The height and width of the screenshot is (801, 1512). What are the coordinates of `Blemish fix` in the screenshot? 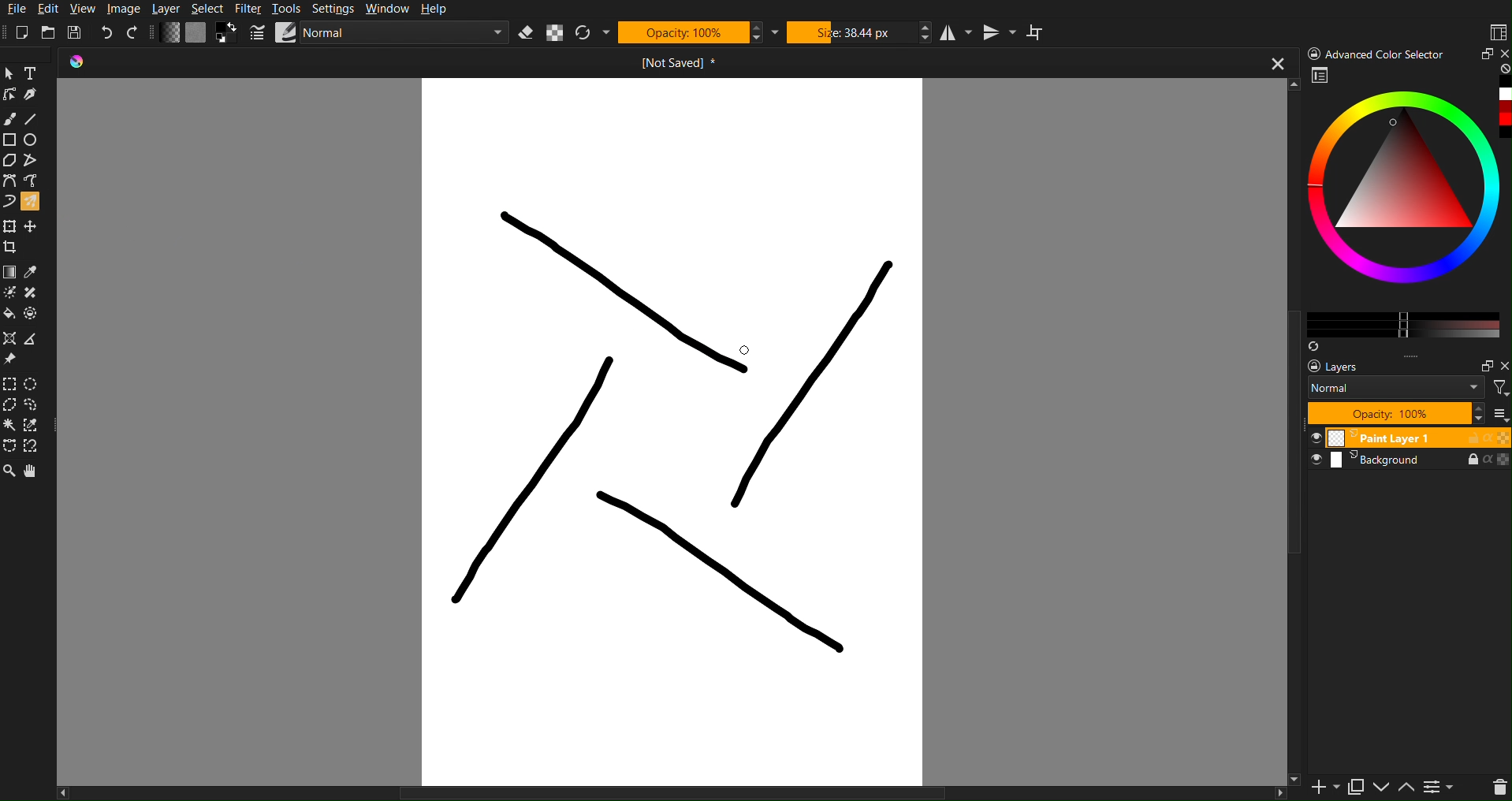 It's located at (36, 294).